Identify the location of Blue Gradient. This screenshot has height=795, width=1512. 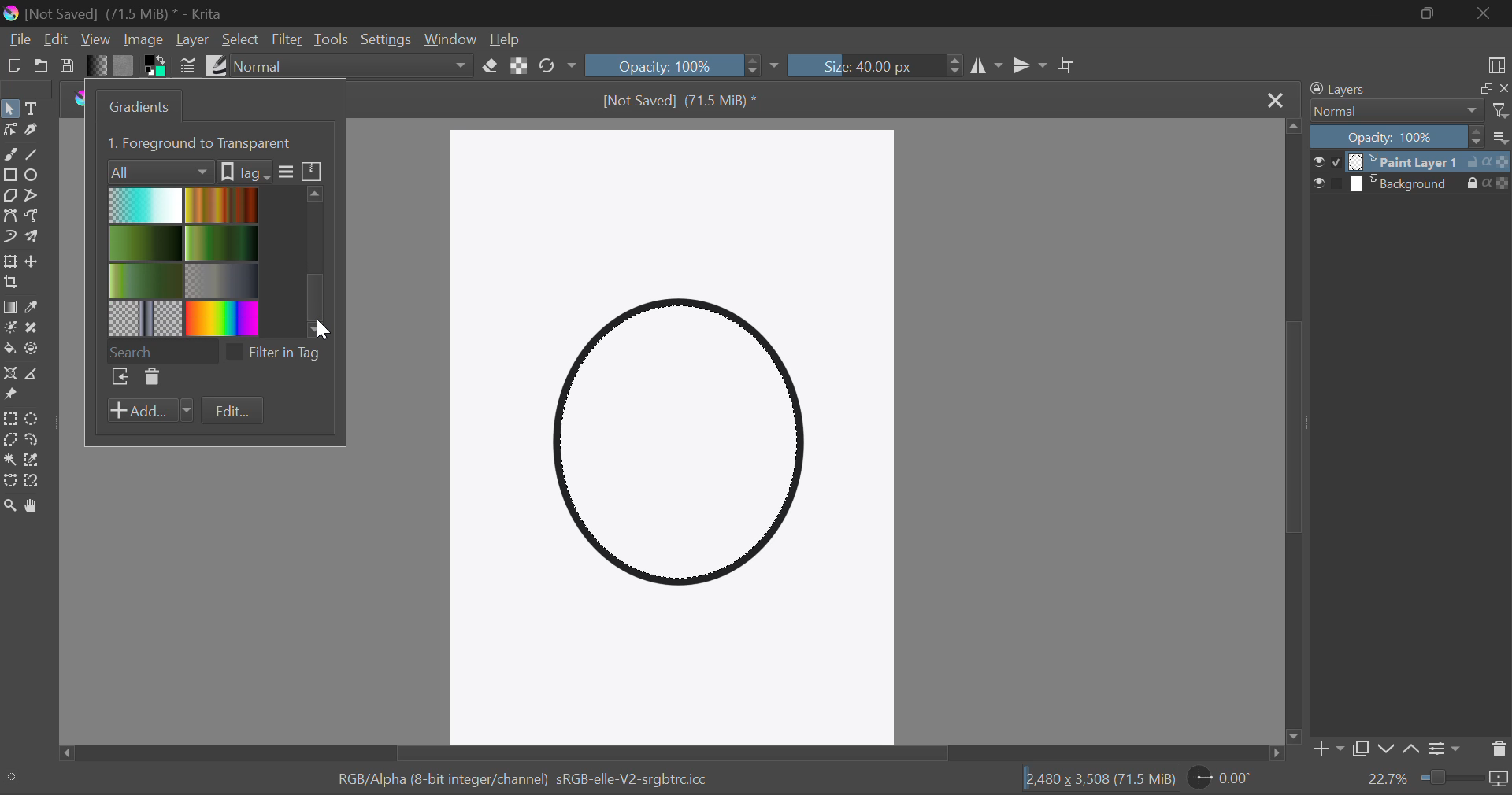
(146, 206).